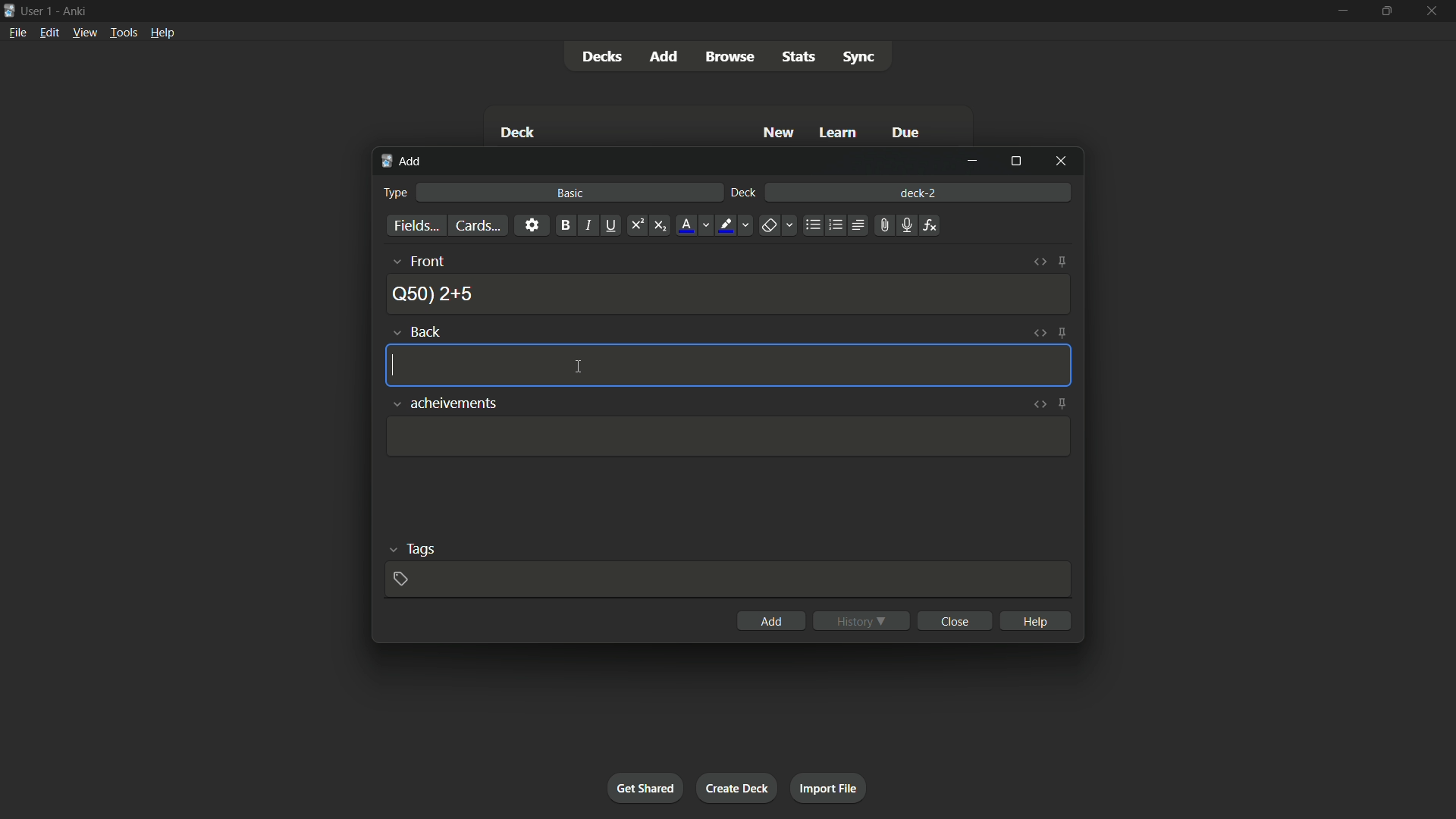  What do you see at coordinates (858, 224) in the screenshot?
I see `alignment` at bounding box center [858, 224].